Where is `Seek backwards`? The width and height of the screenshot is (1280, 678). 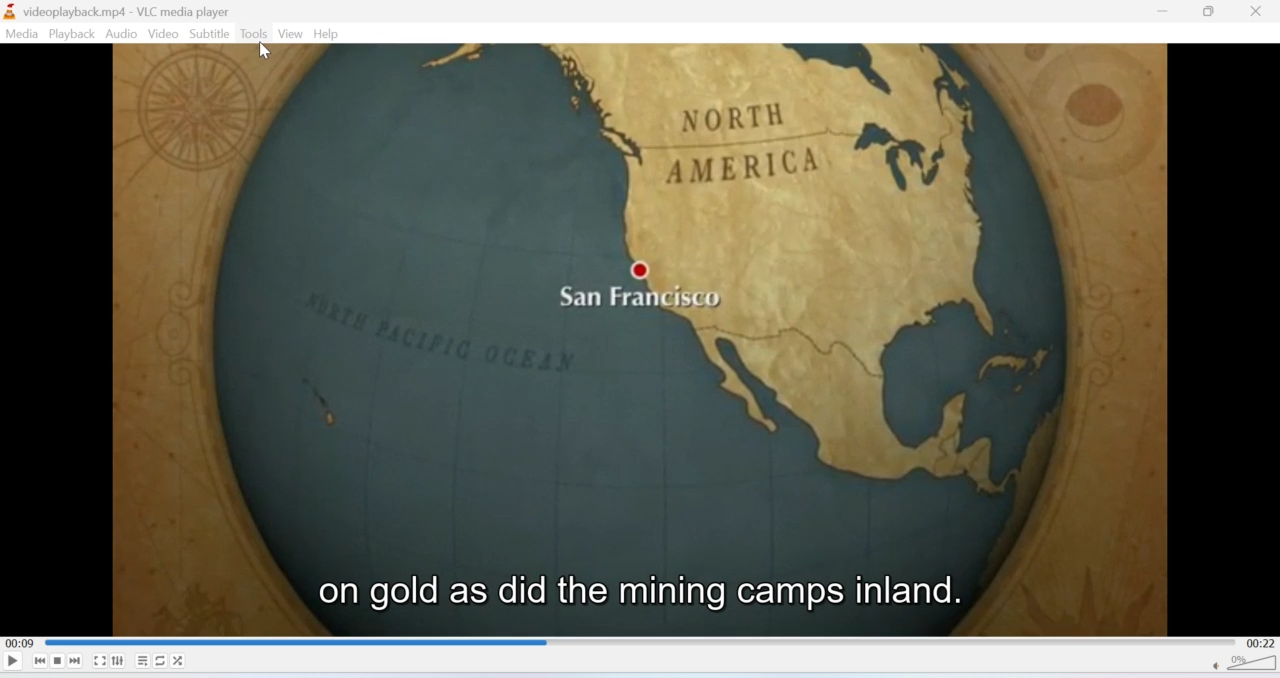
Seek backwards is located at coordinates (40, 661).